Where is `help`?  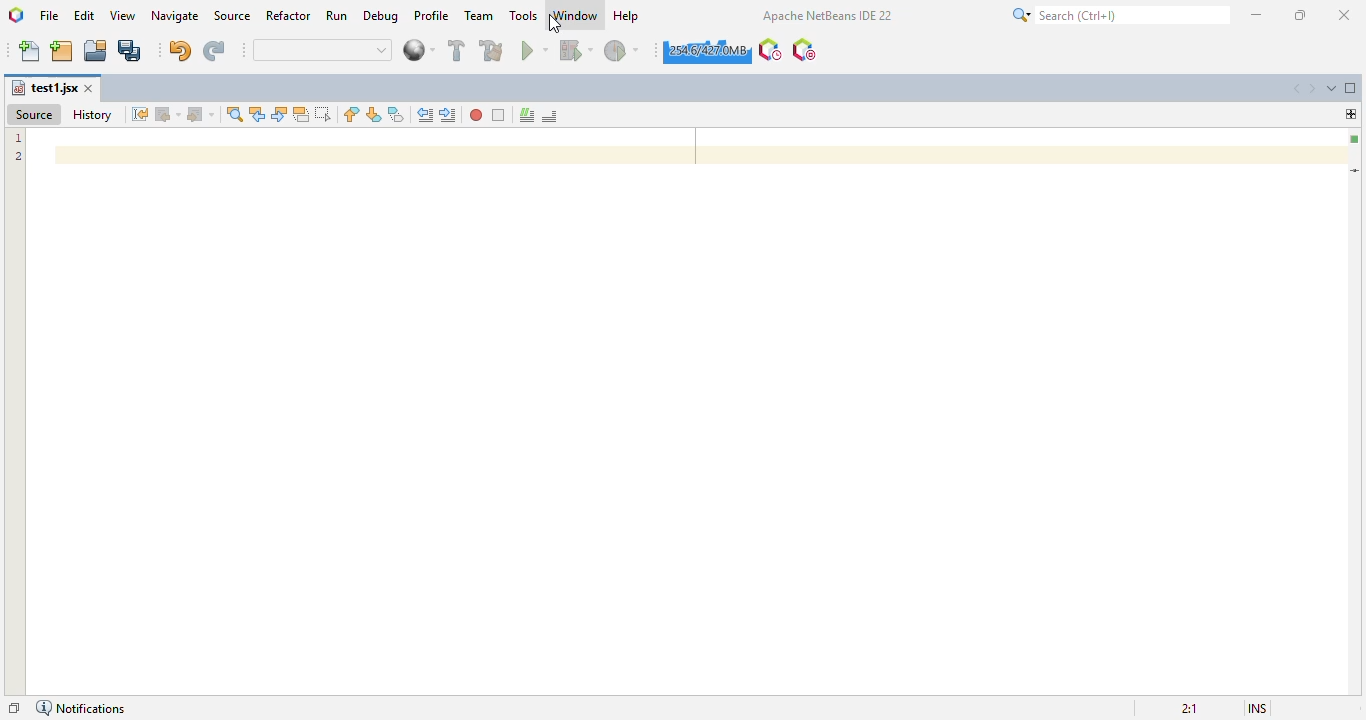
help is located at coordinates (627, 16).